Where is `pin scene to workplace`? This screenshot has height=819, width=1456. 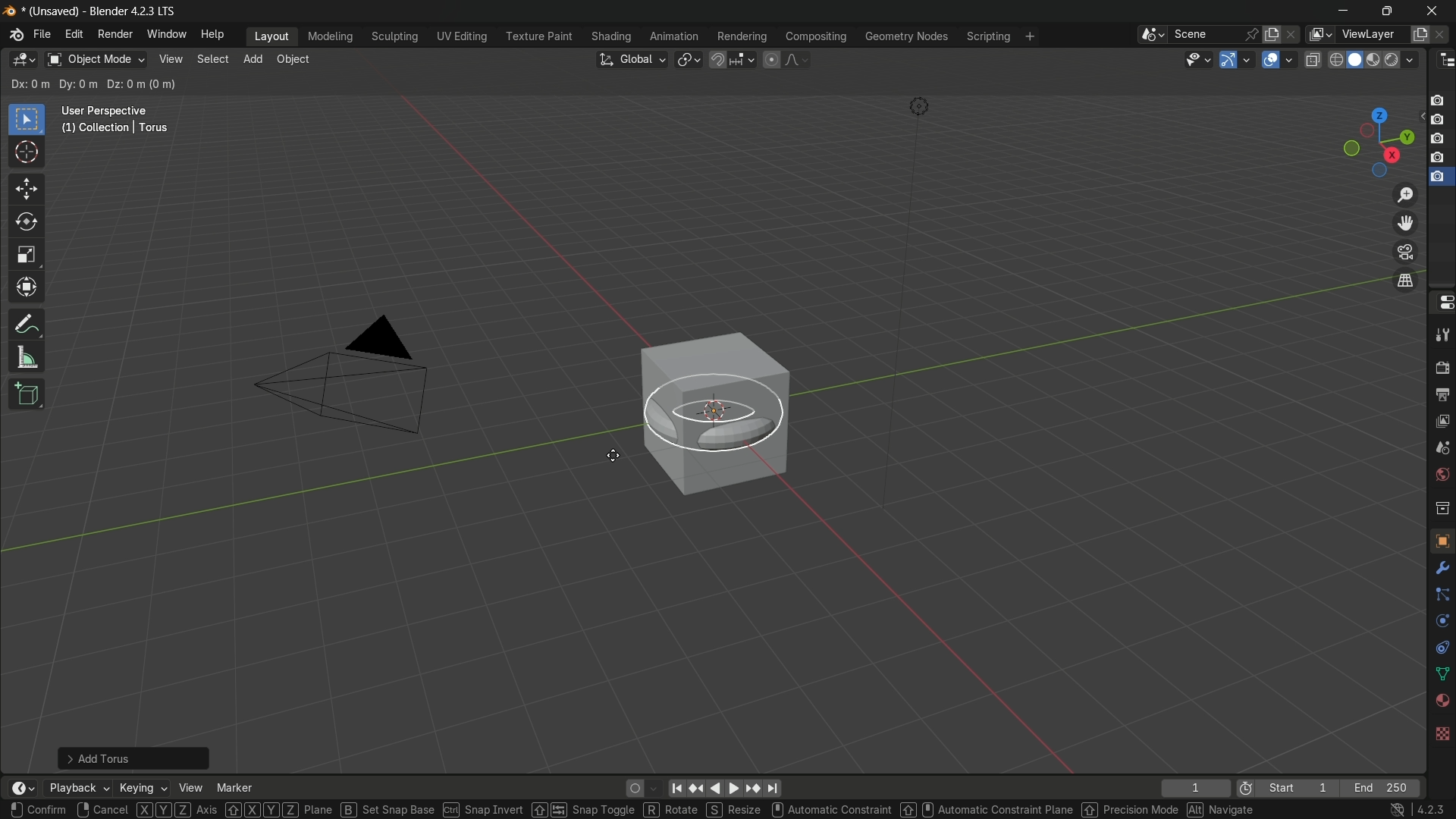
pin scene to workplace is located at coordinates (1252, 34).